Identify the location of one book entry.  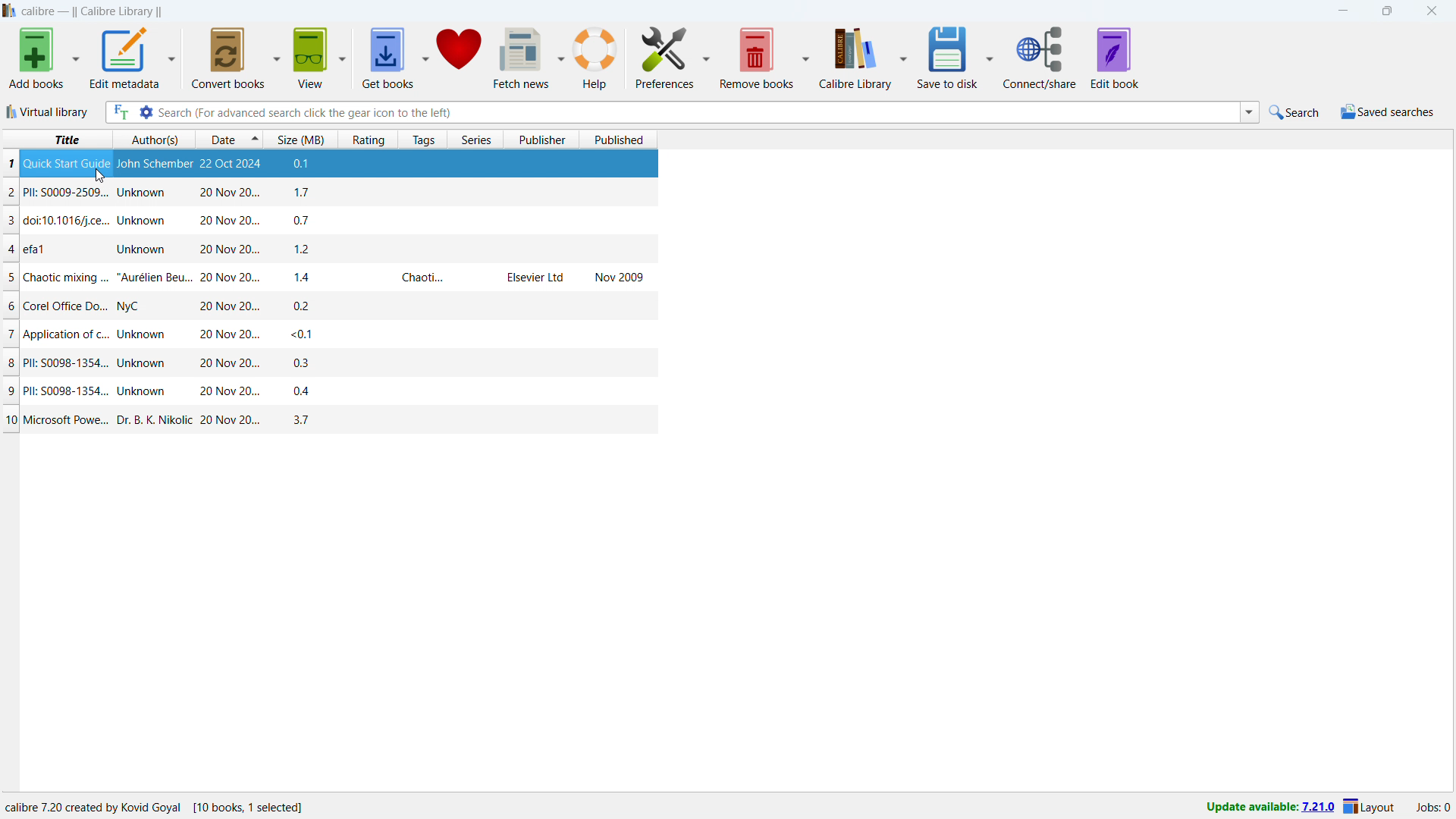
(327, 390).